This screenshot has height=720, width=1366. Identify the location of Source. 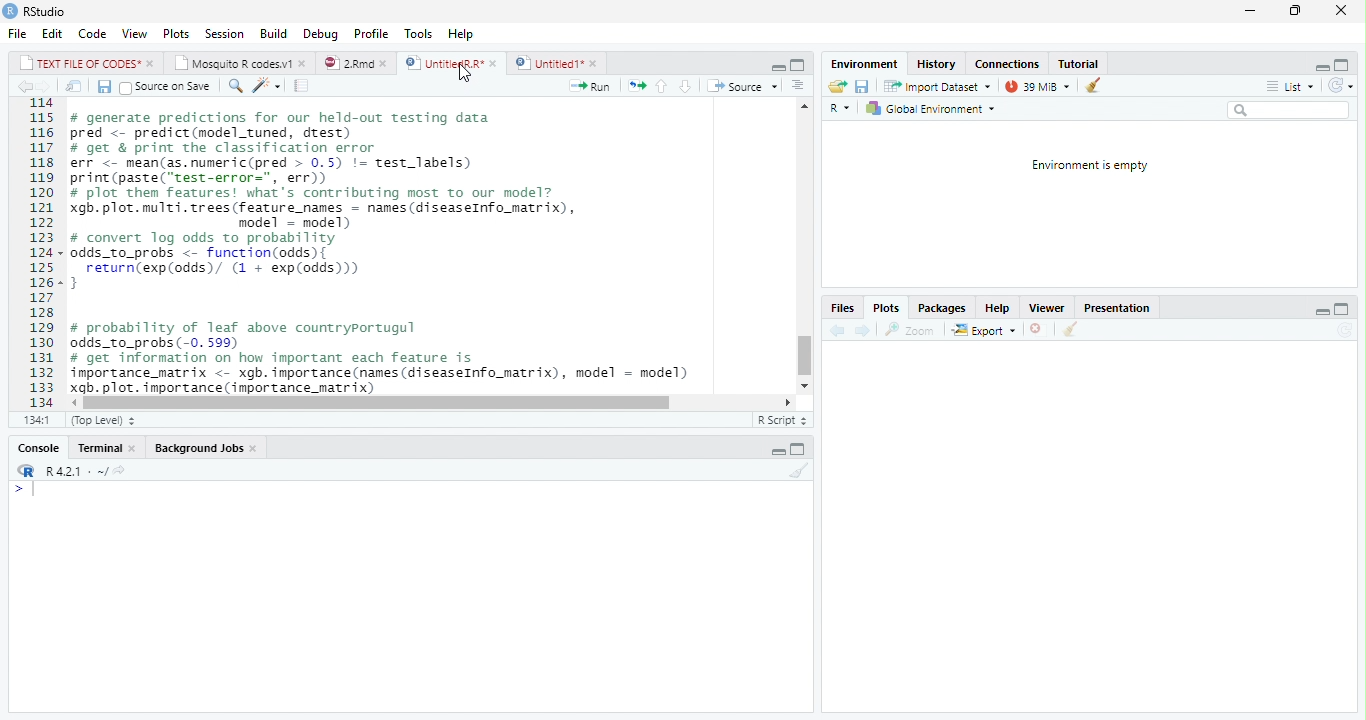
(741, 85).